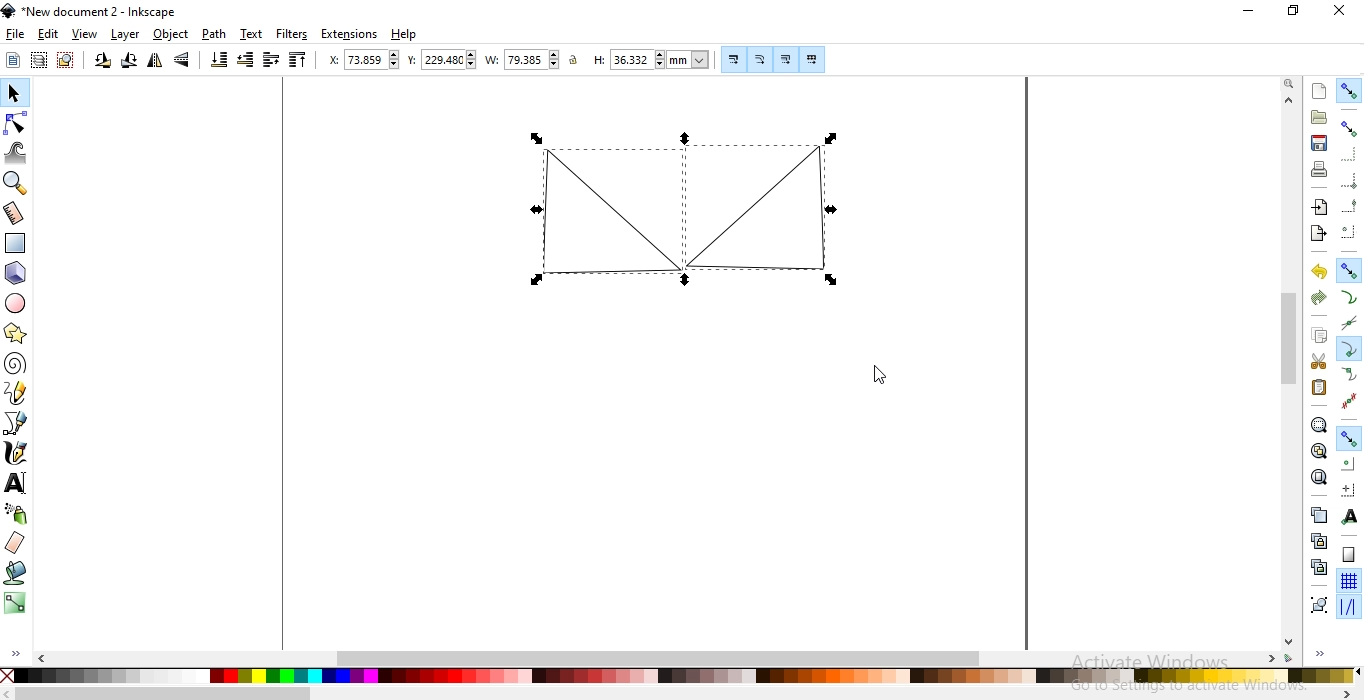 The image size is (1364, 700). Describe the element at coordinates (14, 34) in the screenshot. I see `file` at that location.